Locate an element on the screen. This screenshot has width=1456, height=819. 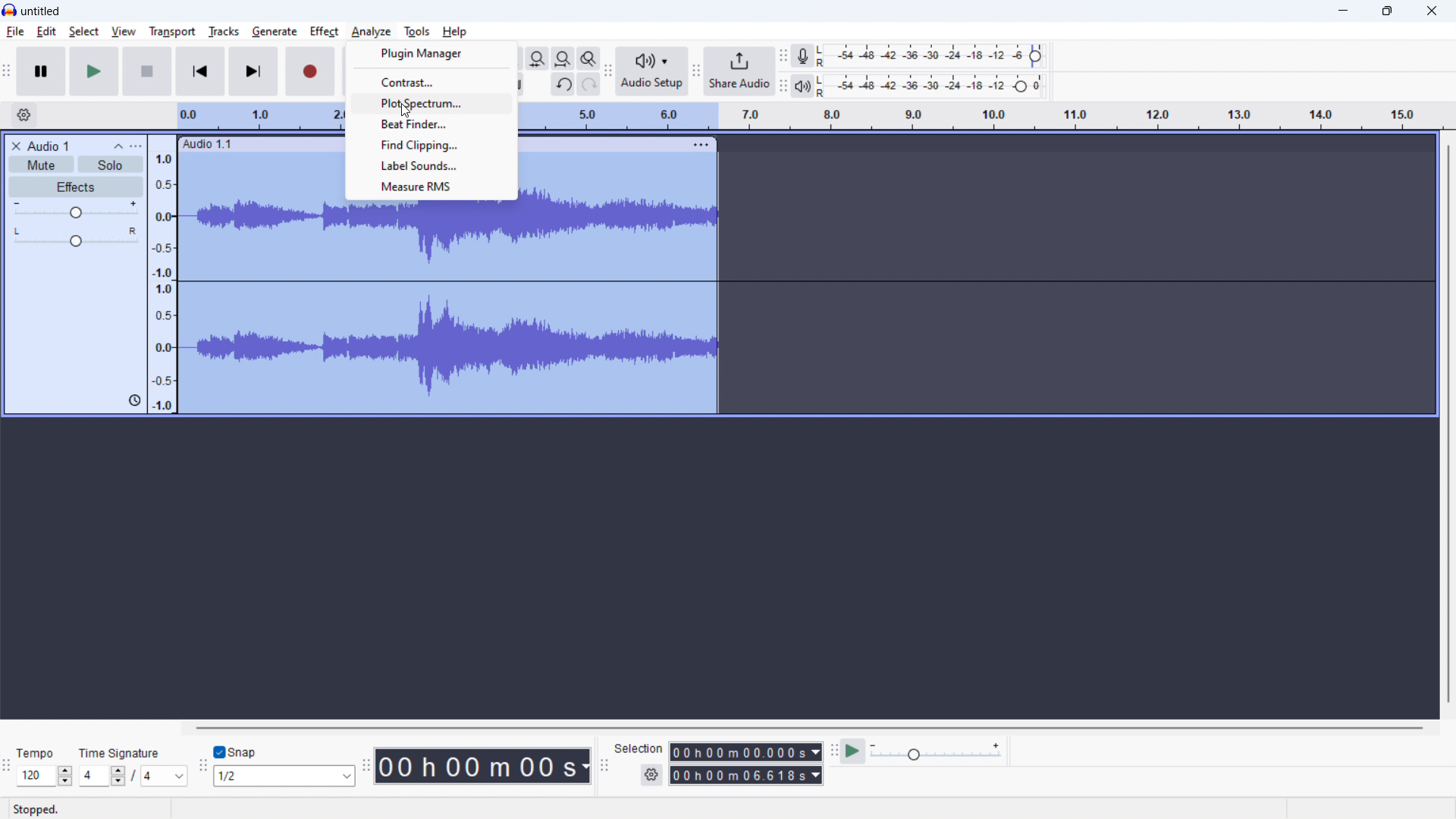
toggle snap is located at coordinates (236, 752).